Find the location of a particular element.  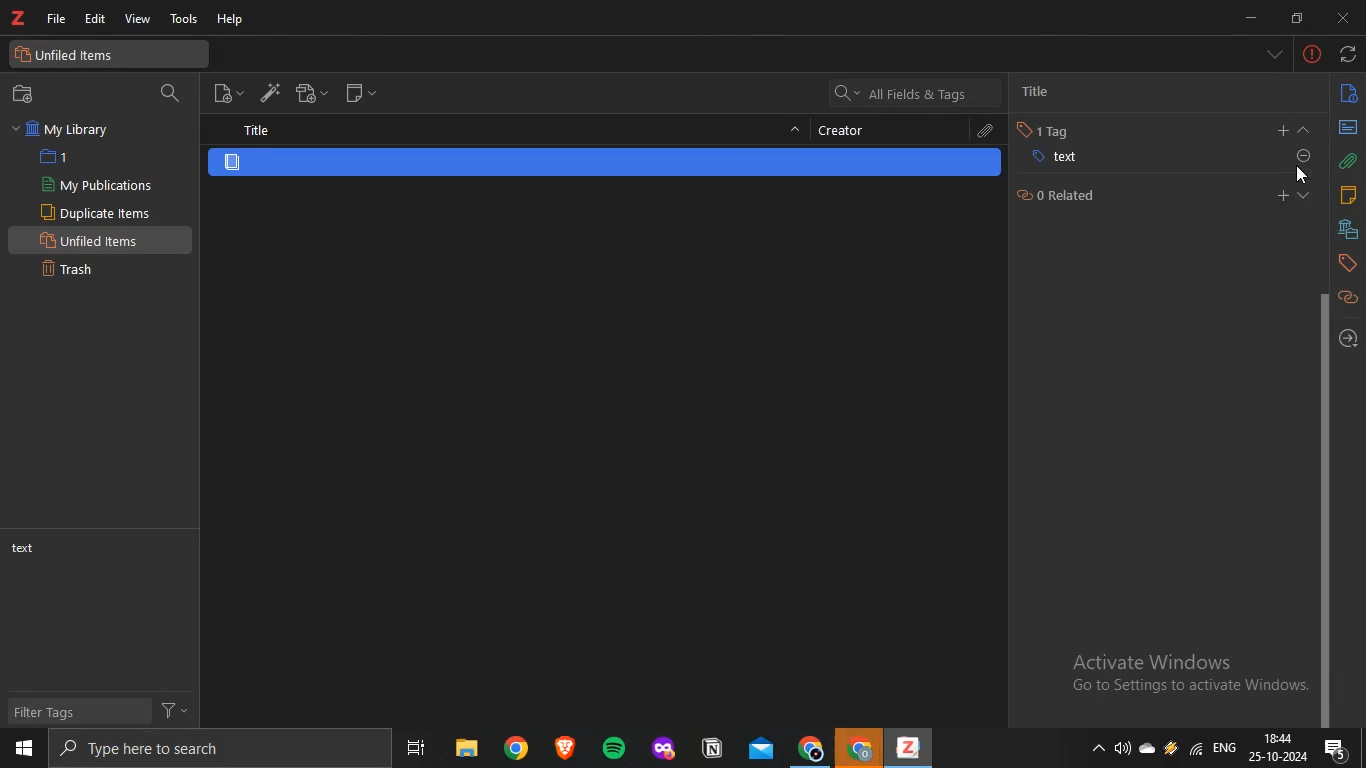

chrome is located at coordinates (514, 748).